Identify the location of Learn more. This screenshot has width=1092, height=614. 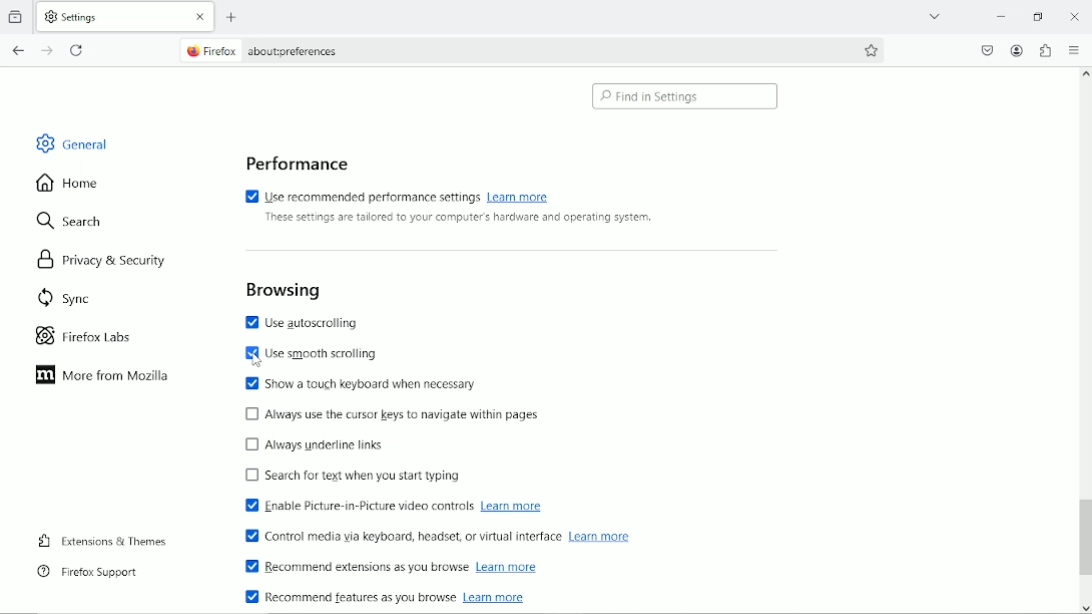
(525, 197).